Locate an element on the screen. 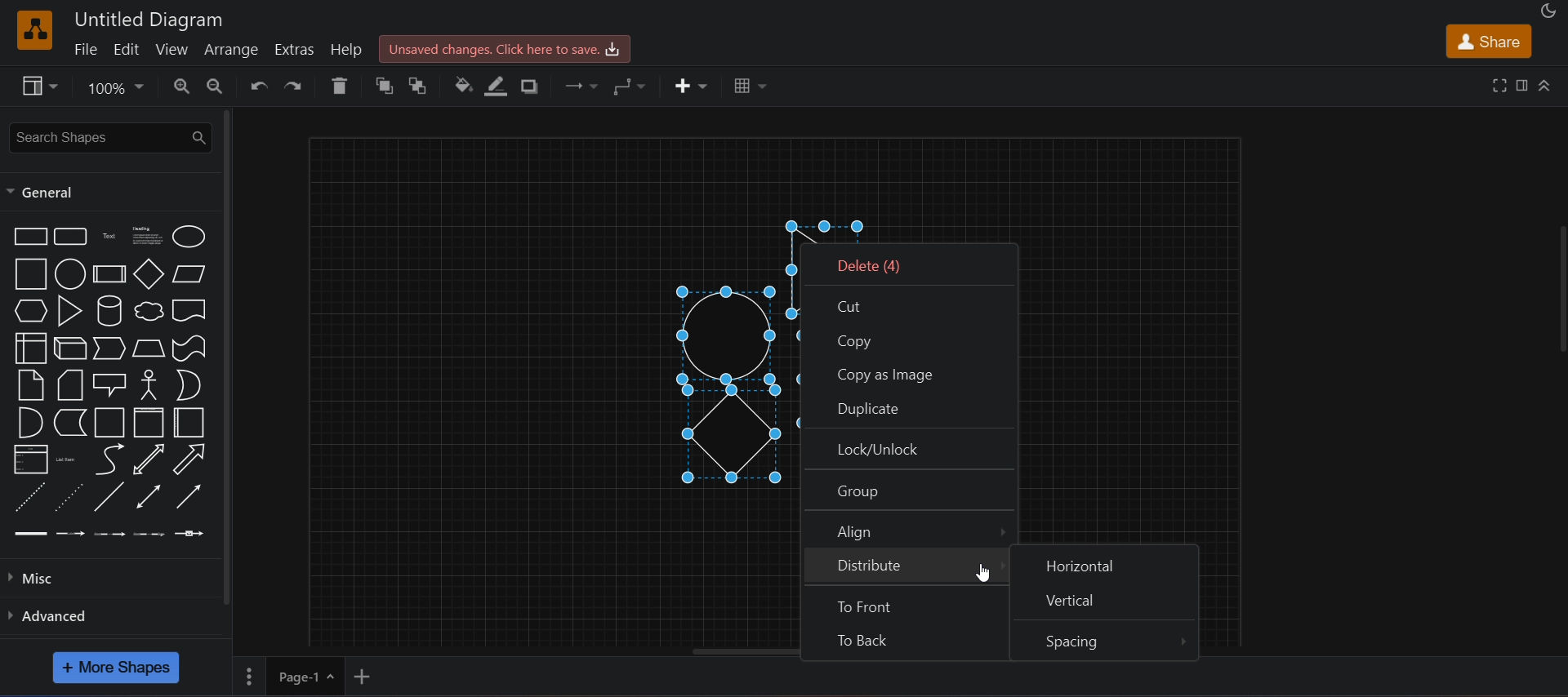 Image resolution: width=1568 pixels, height=697 pixels. or is located at coordinates (188, 384).